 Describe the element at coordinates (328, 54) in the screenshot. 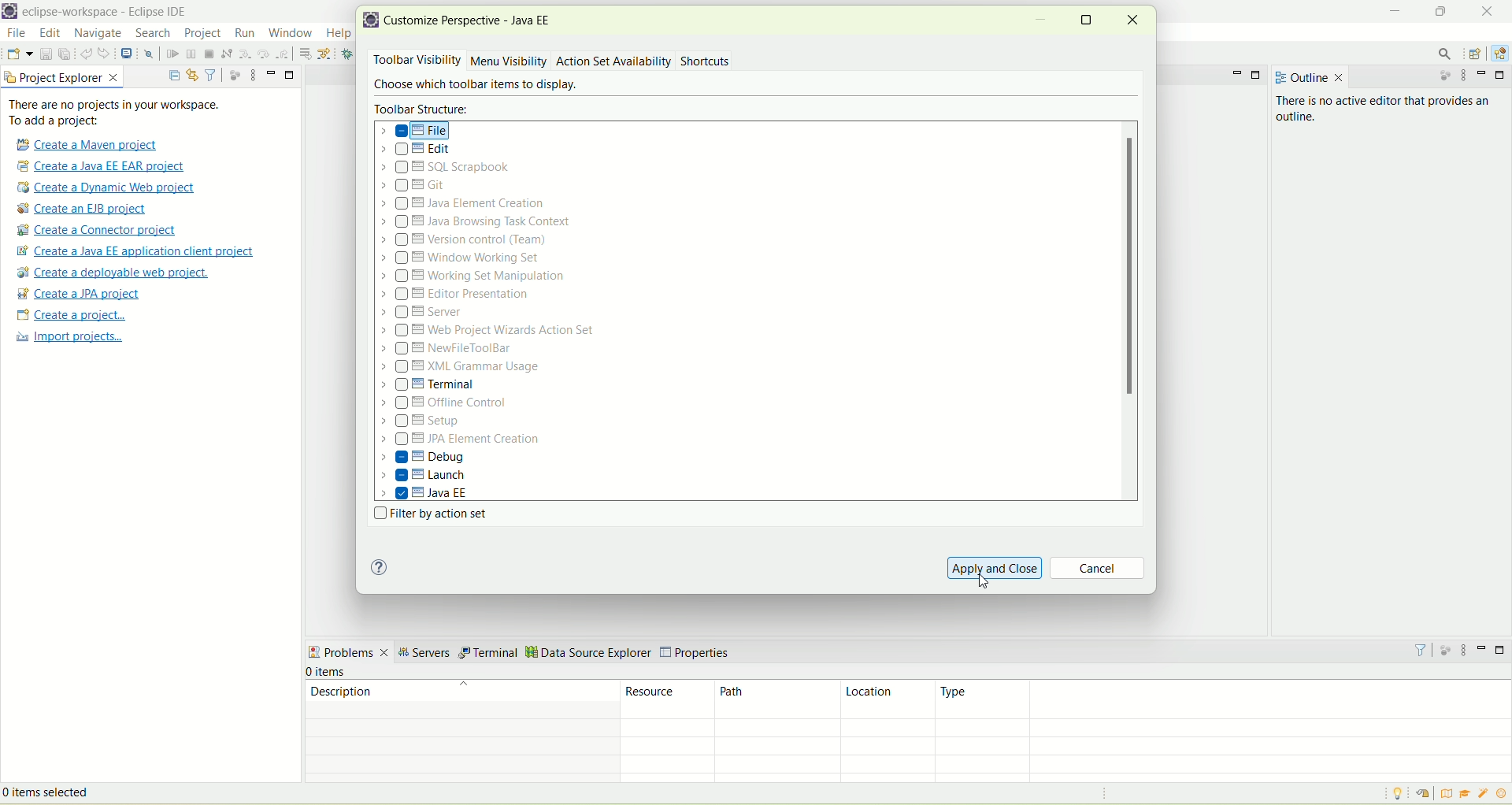

I see `use step filter` at that location.